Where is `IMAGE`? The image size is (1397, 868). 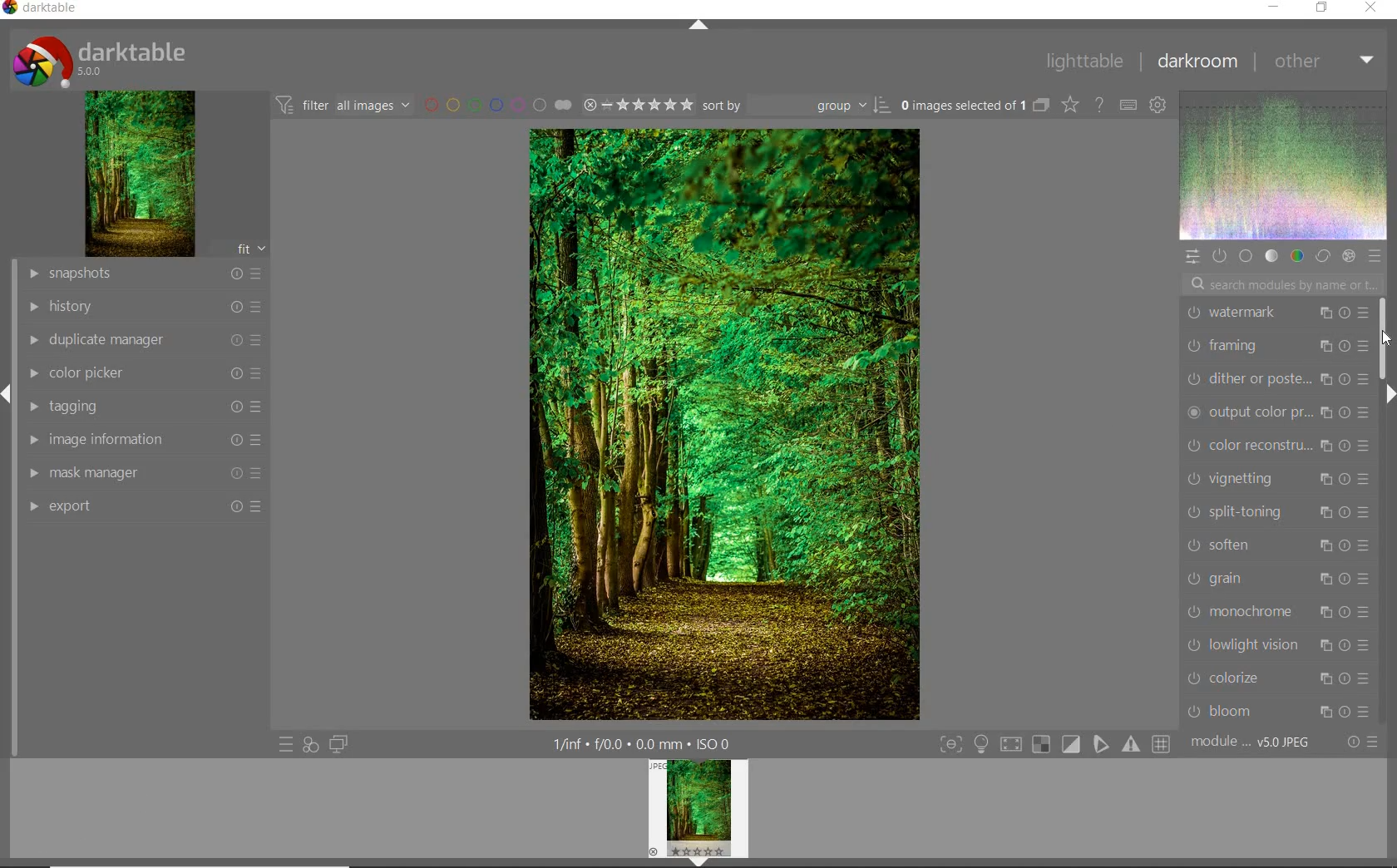 IMAGE is located at coordinates (137, 173).